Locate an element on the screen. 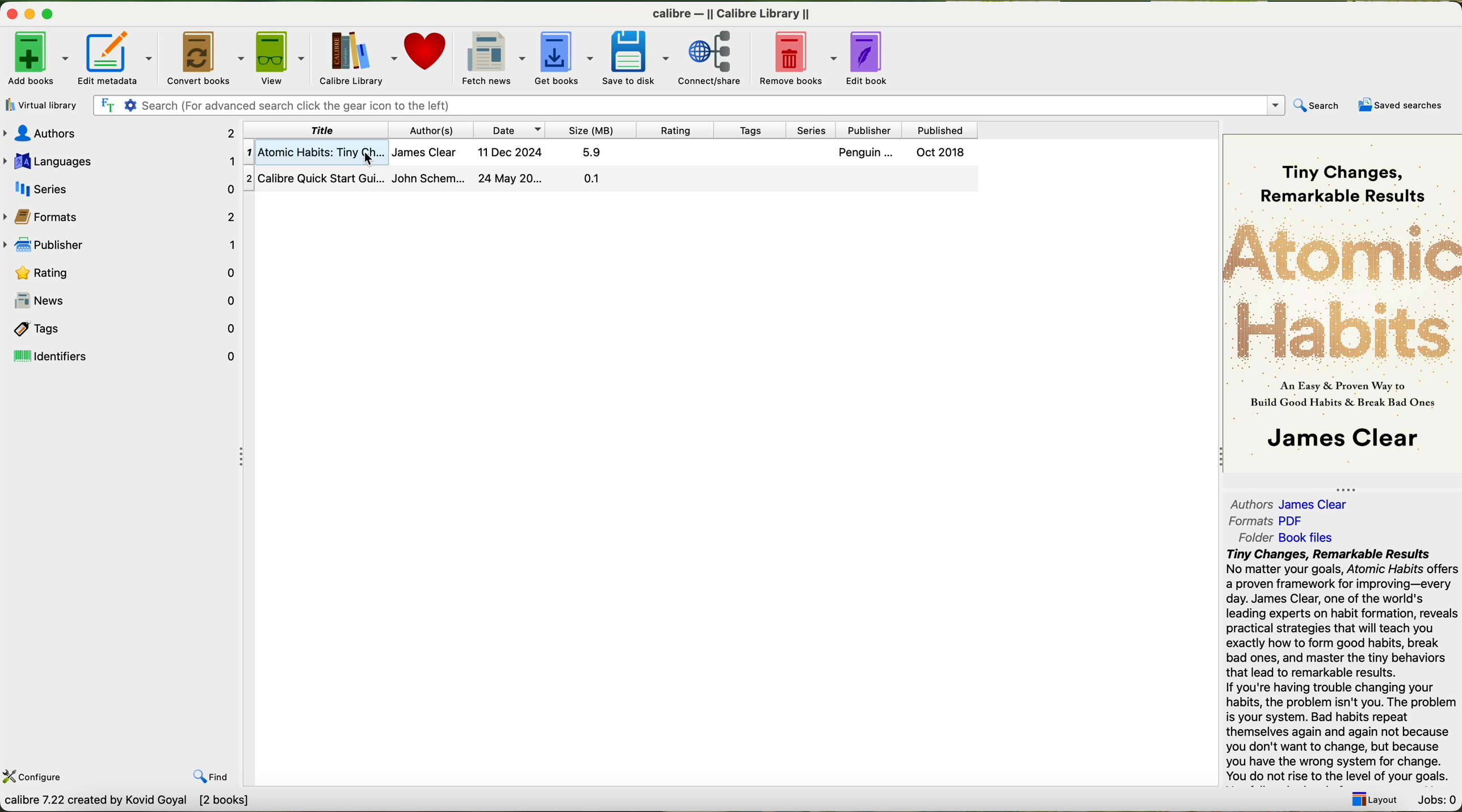  close program is located at coordinates (10, 15).